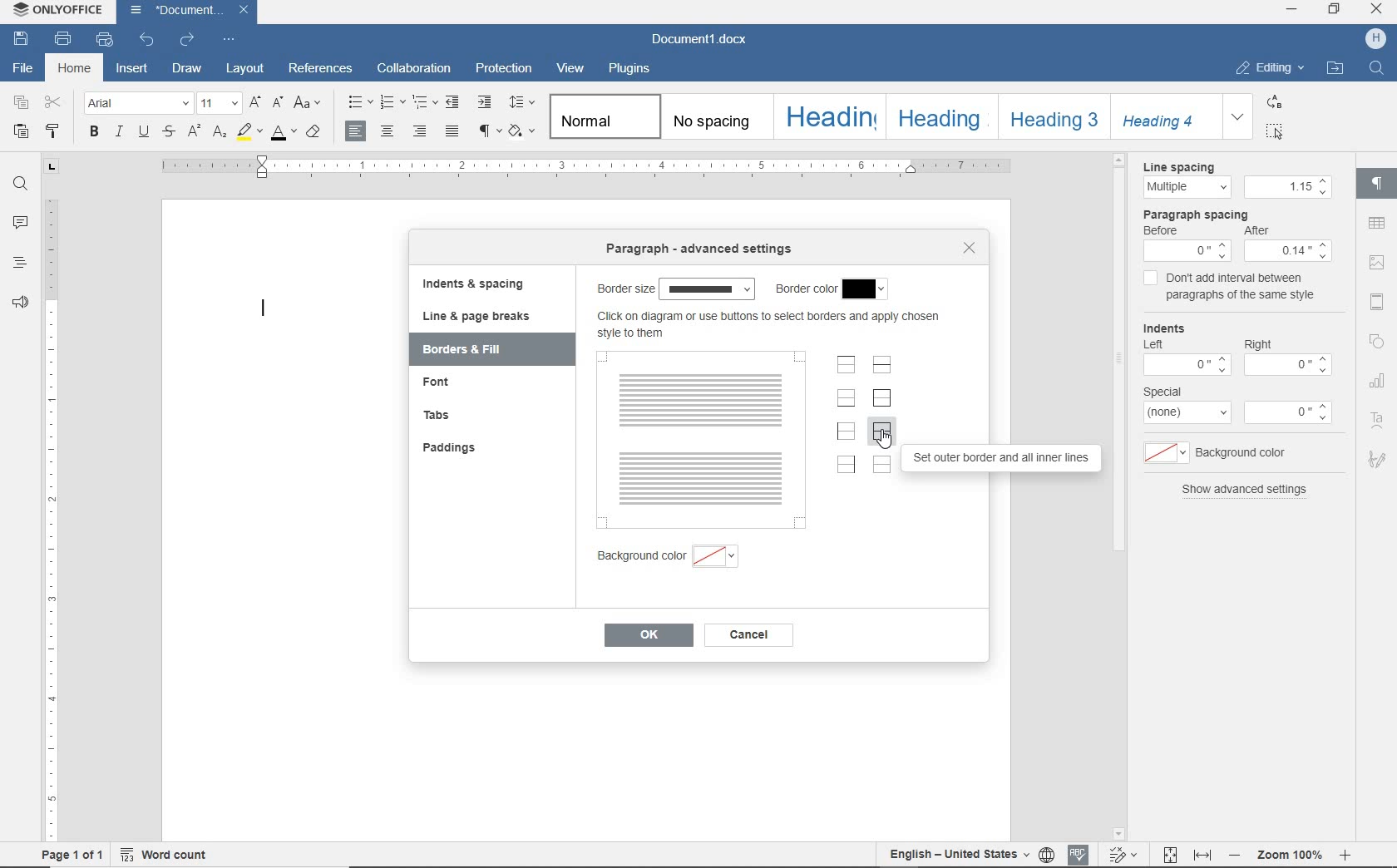 Image resolution: width=1397 pixels, height=868 pixels. I want to click on normal, so click(605, 117).